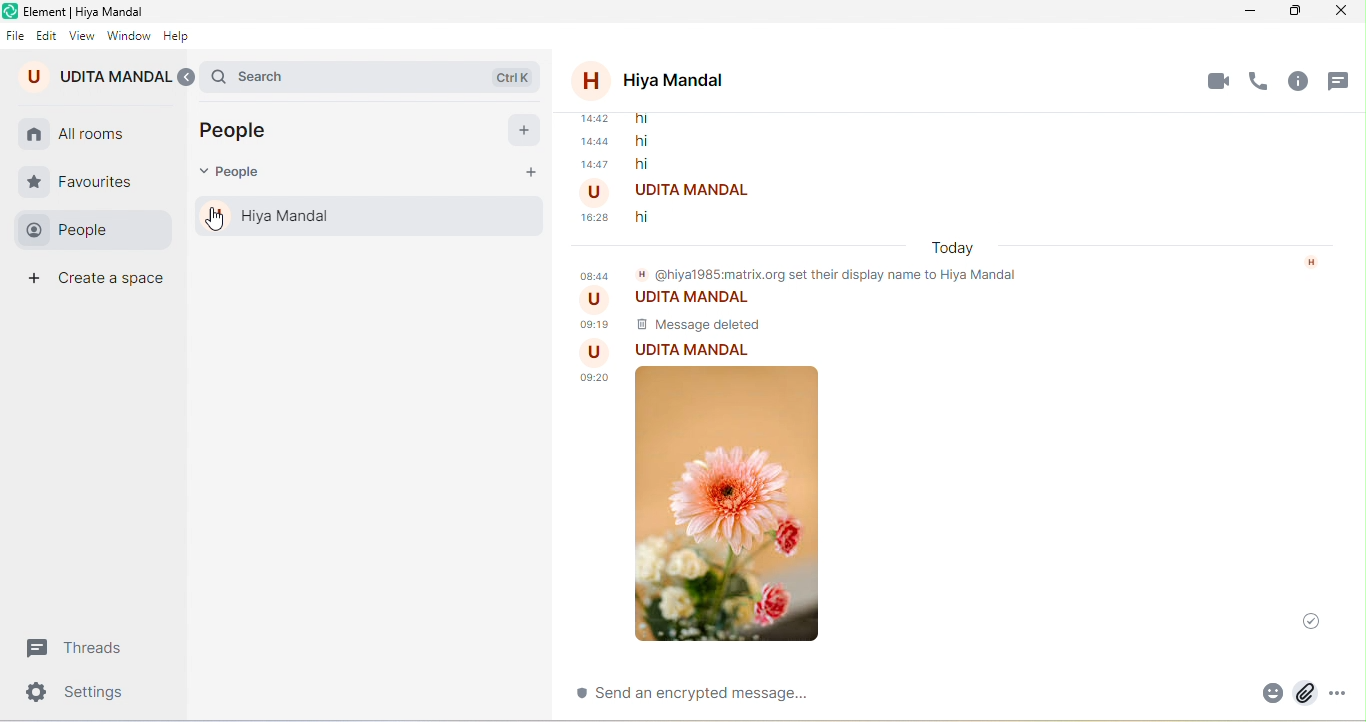 The height and width of the screenshot is (722, 1366). What do you see at coordinates (590, 82) in the screenshot?
I see `profile picture` at bounding box center [590, 82].